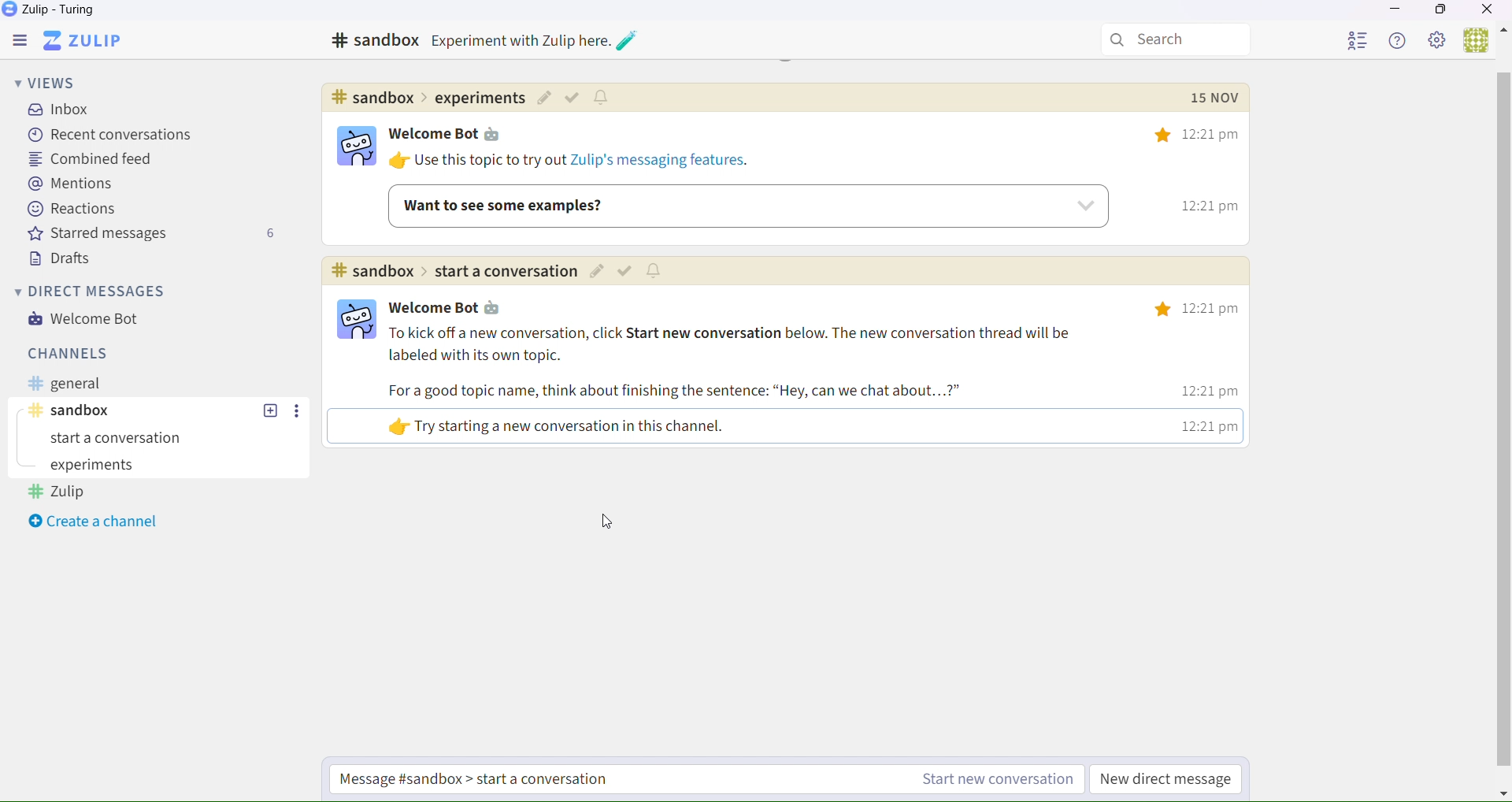  I want to click on Create a channel, so click(98, 522).